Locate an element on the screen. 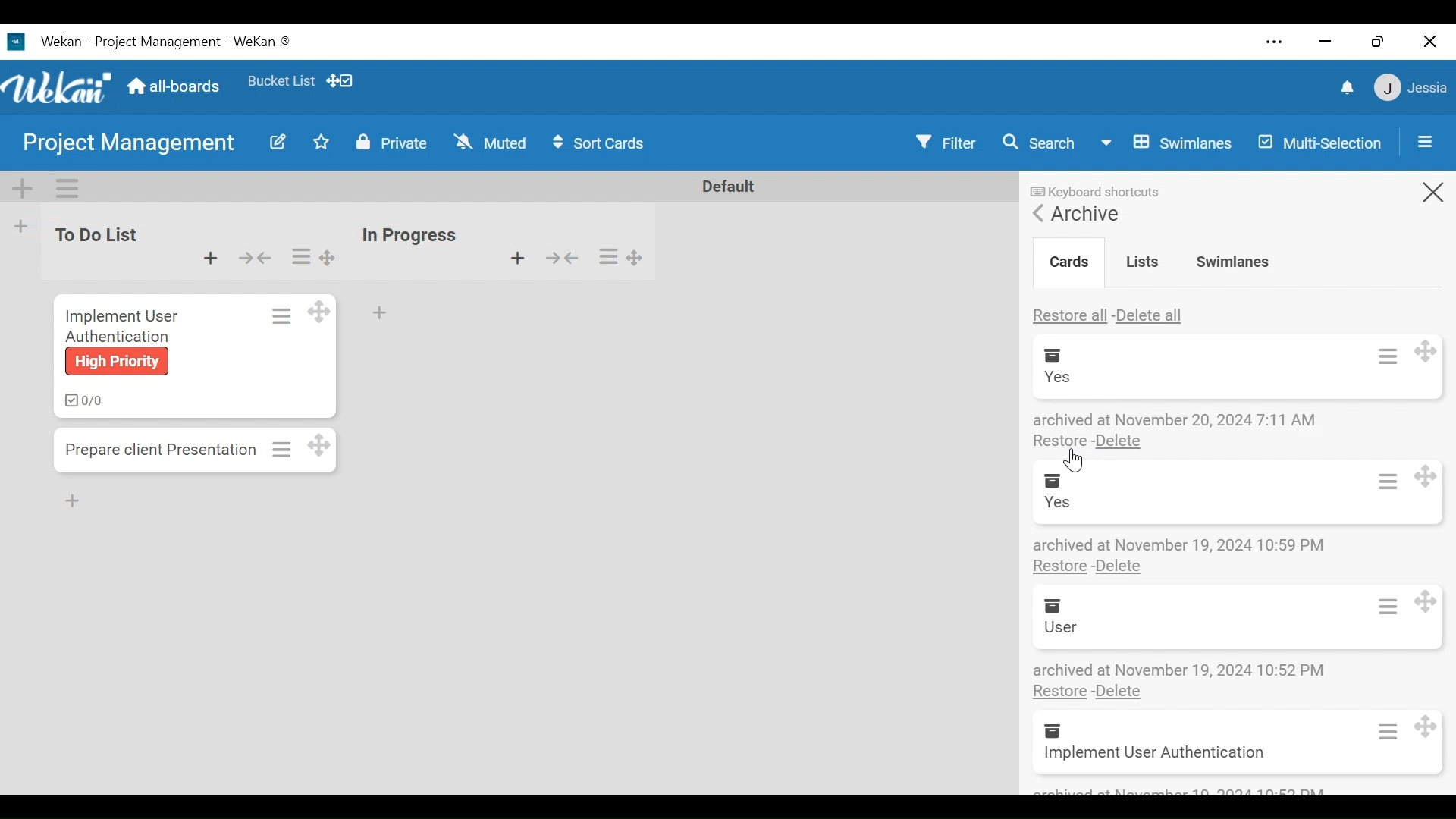 Image resolution: width=1456 pixels, height=819 pixels. Desktop Drag handles is located at coordinates (318, 312).